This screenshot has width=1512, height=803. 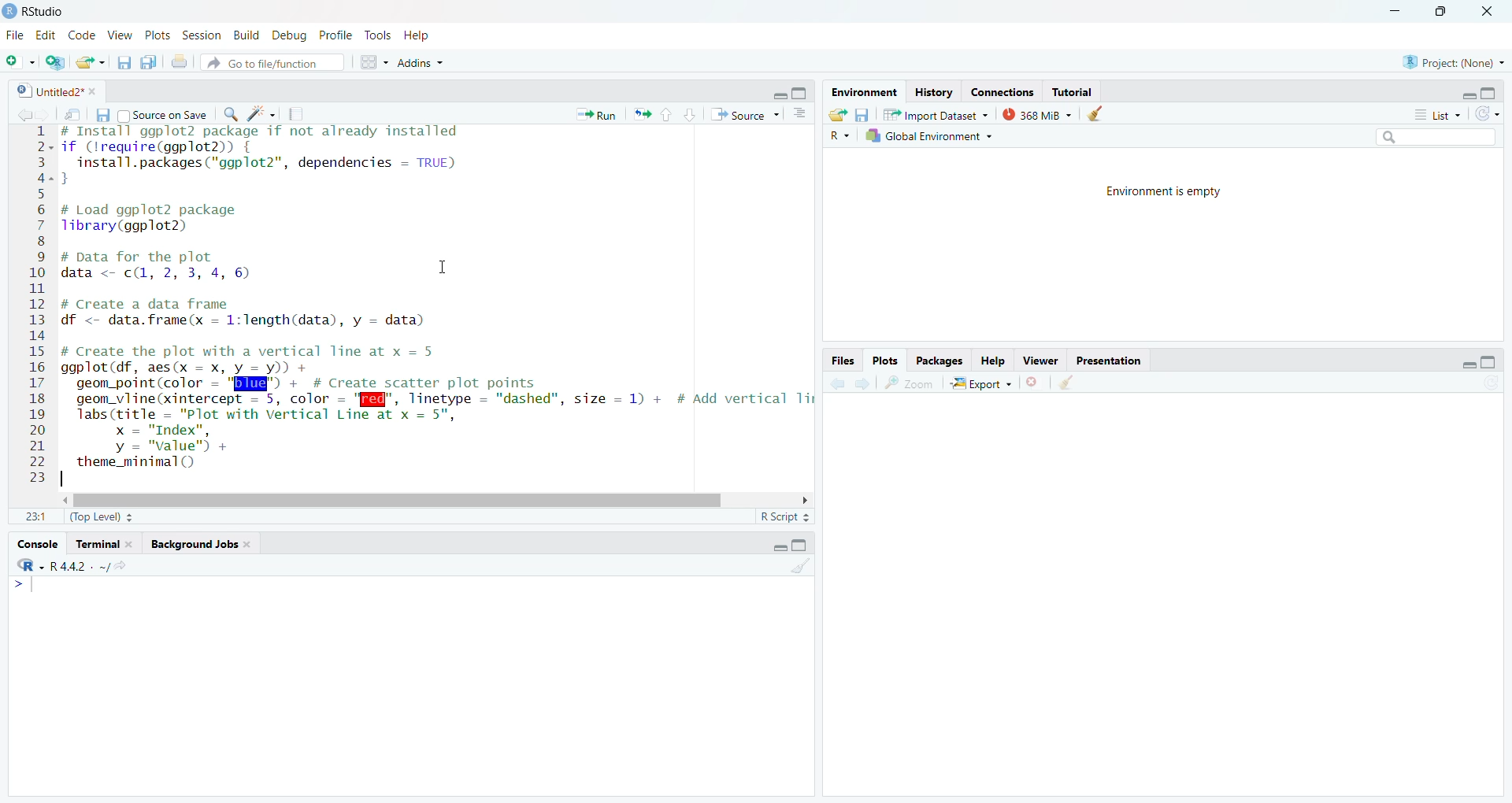 I want to click on Help, so click(x=997, y=361).